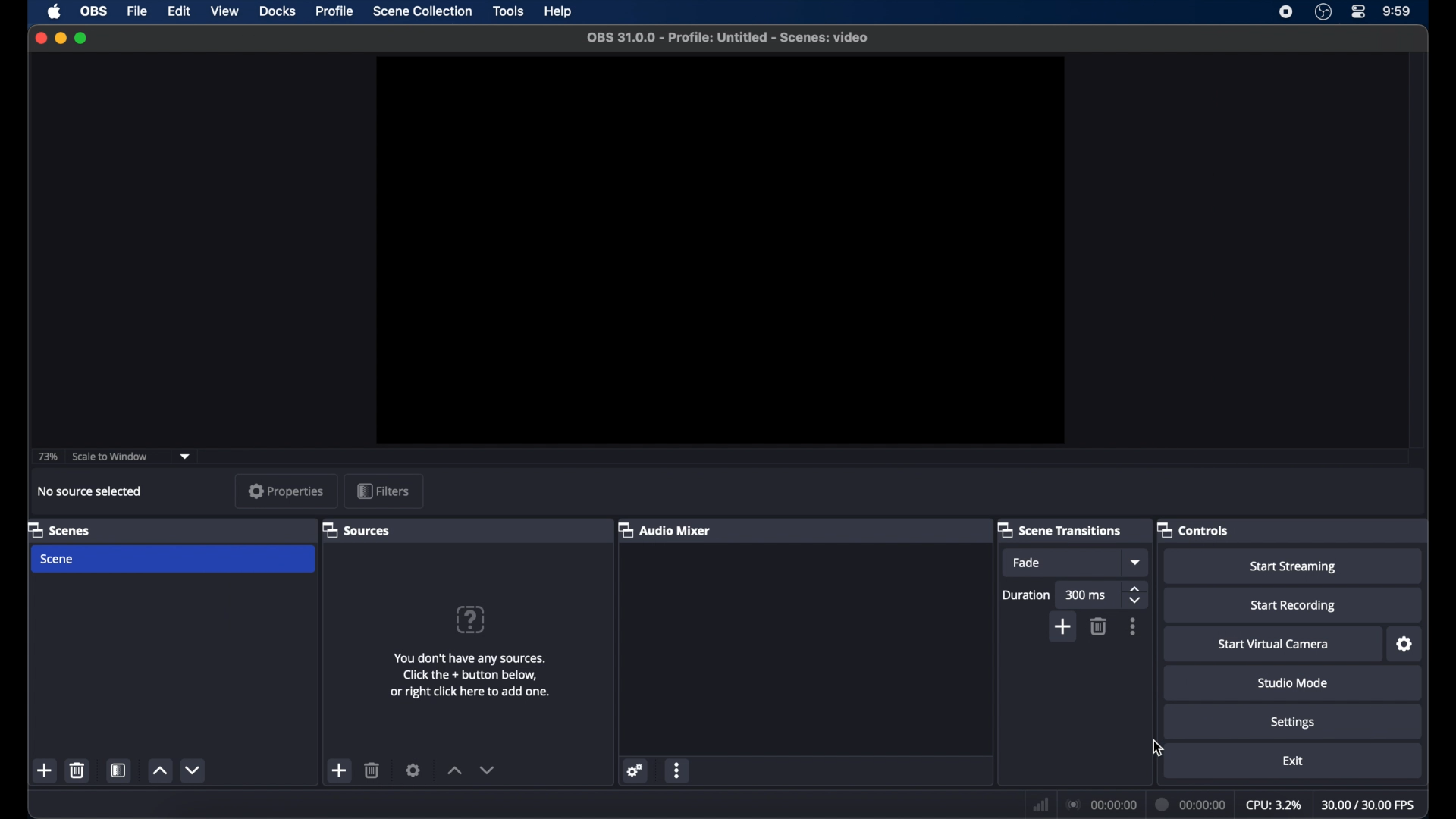 The height and width of the screenshot is (819, 1456). I want to click on obs, so click(93, 11).